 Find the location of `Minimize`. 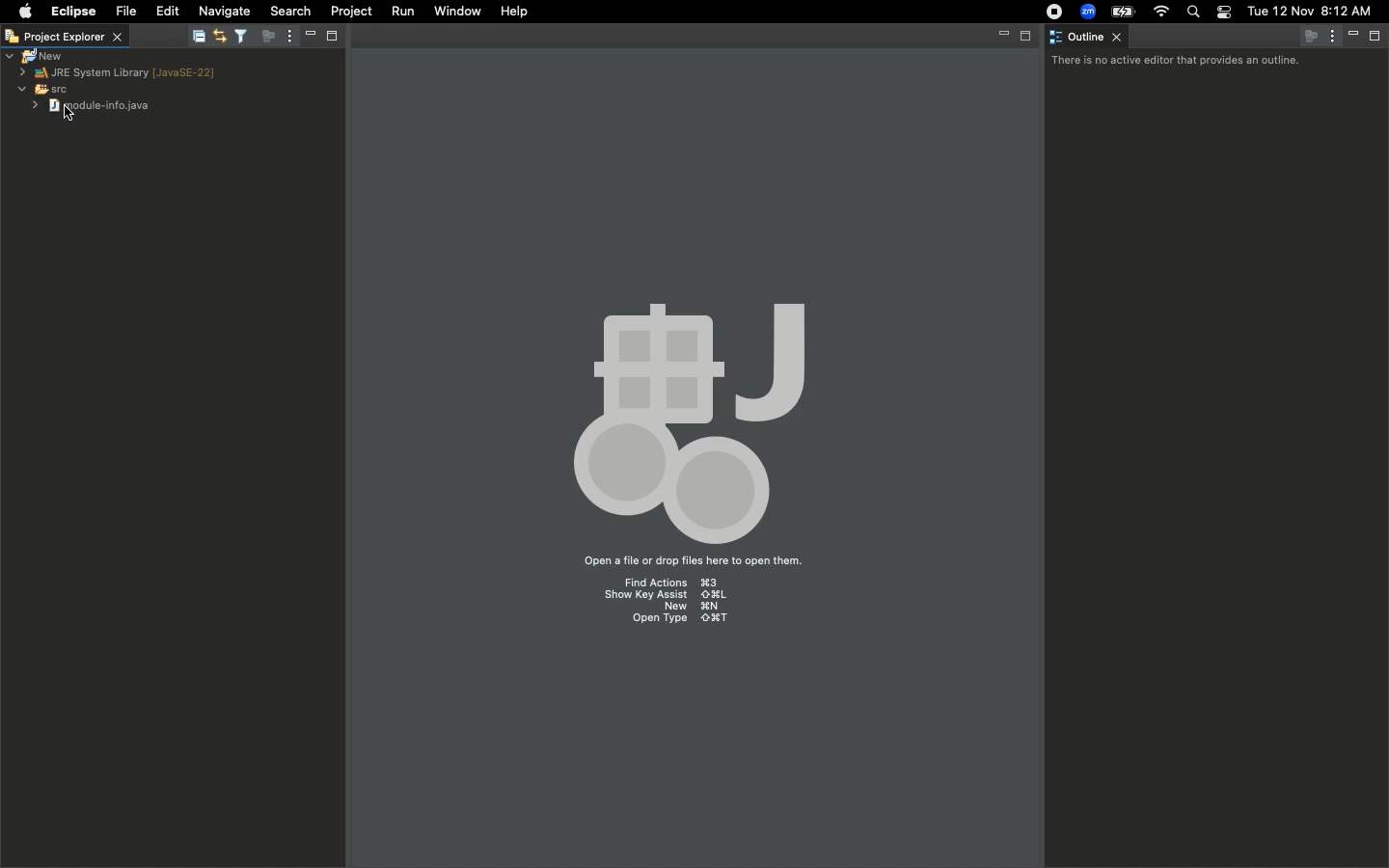

Minimize is located at coordinates (1354, 35).